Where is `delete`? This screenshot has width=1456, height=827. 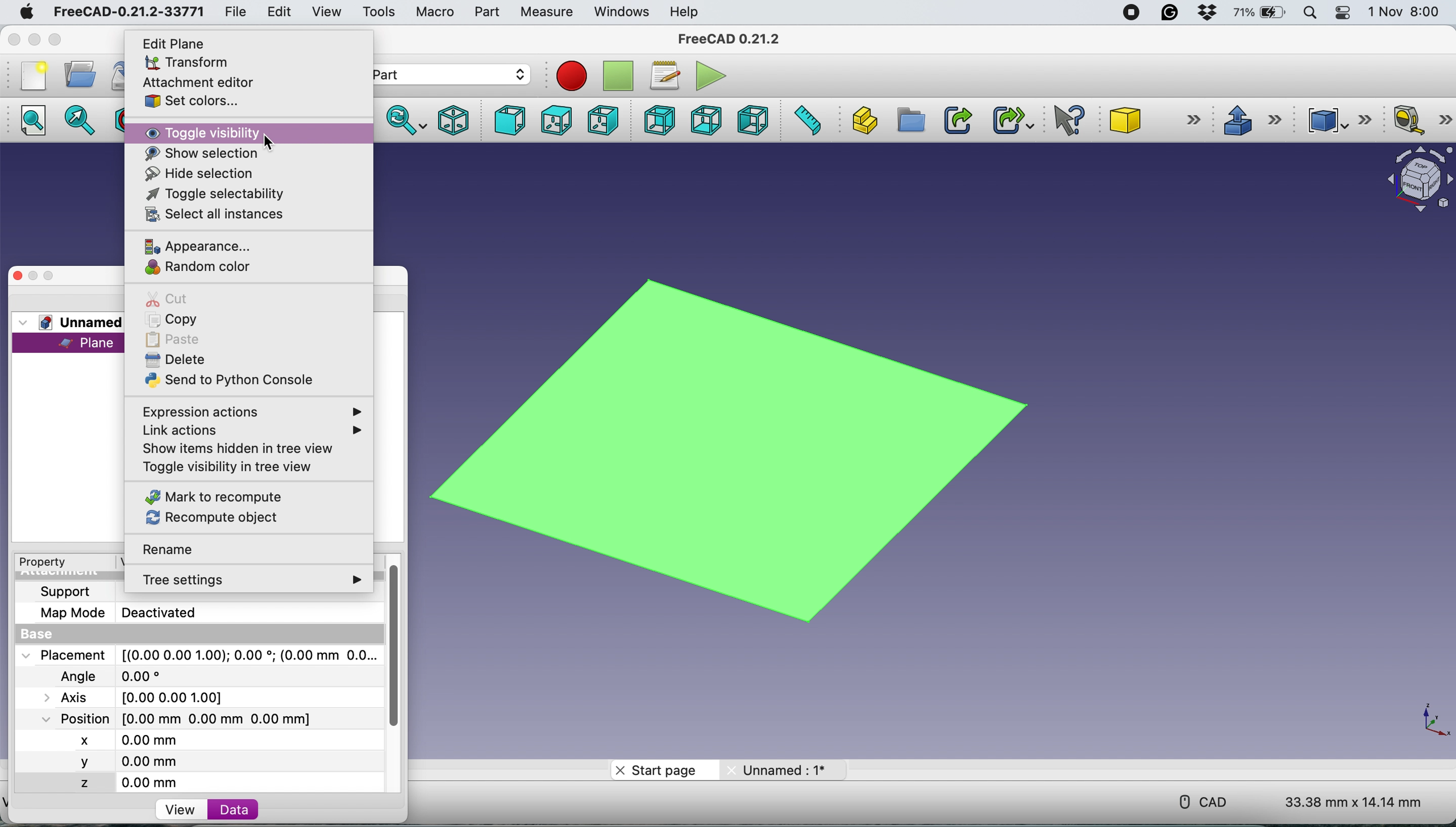 delete is located at coordinates (177, 360).